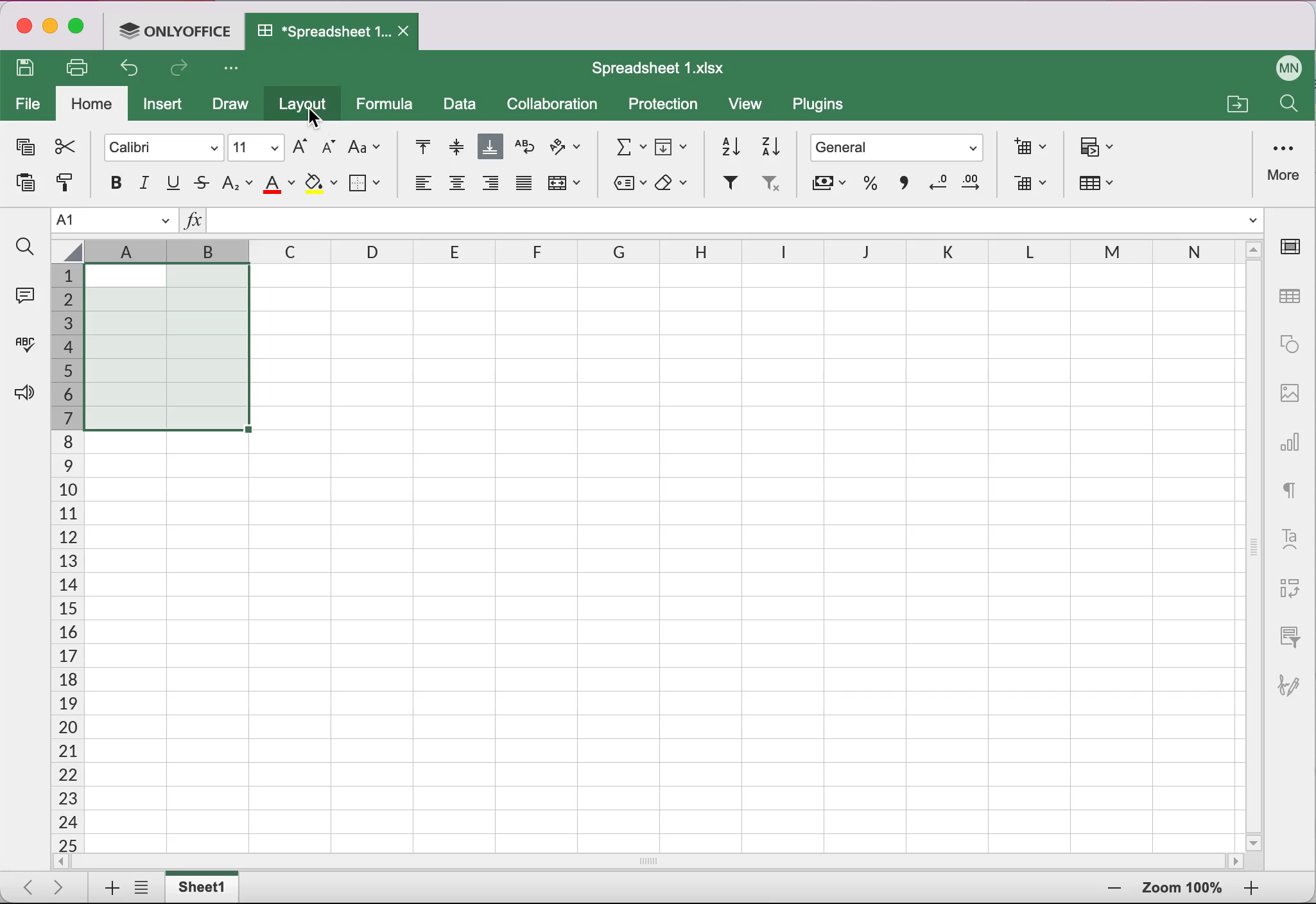  What do you see at coordinates (1290, 537) in the screenshot?
I see `text art` at bounding box center [1290, 537].